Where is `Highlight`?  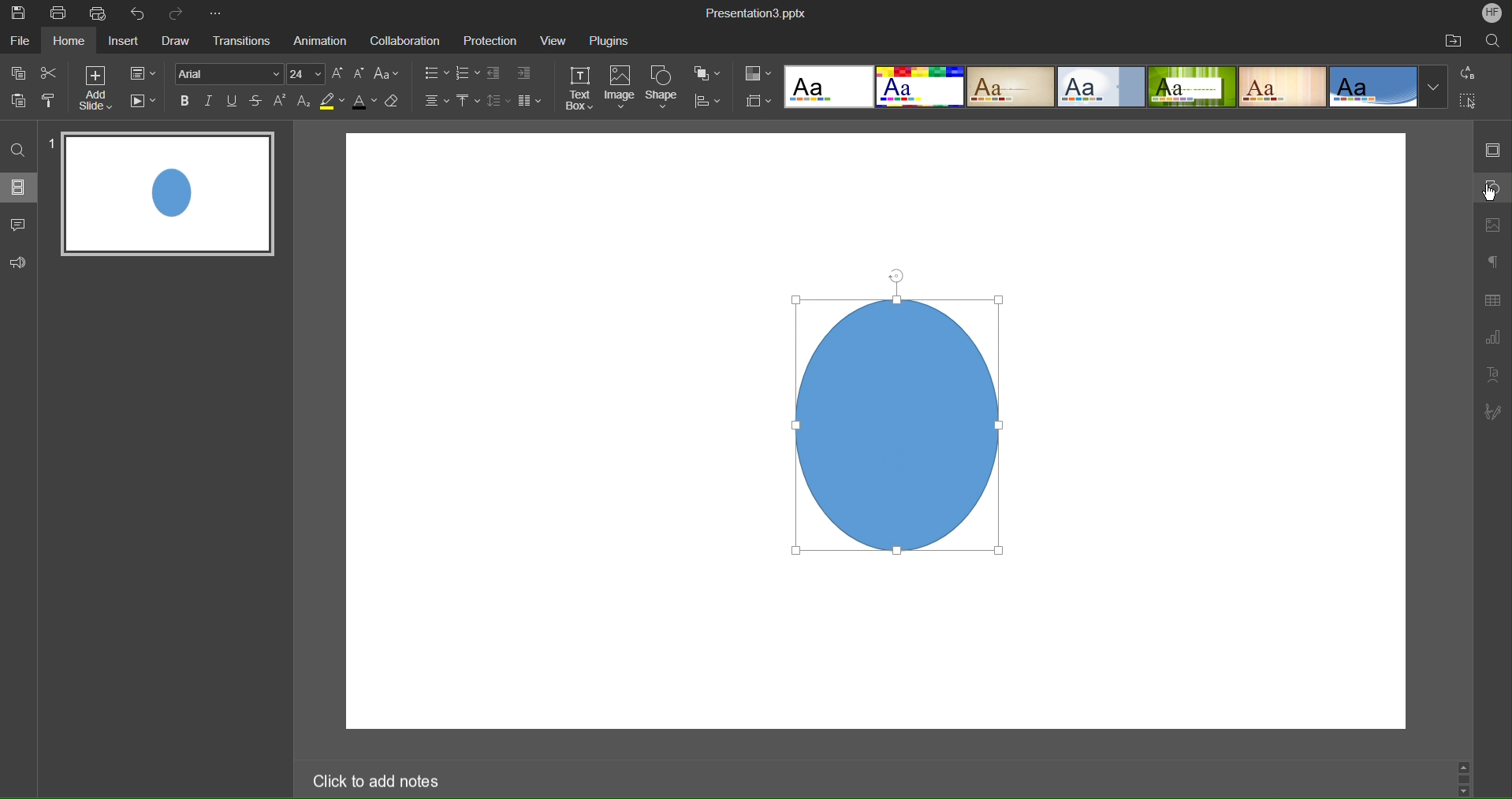 Highlight is located at coordinates (332, 104).